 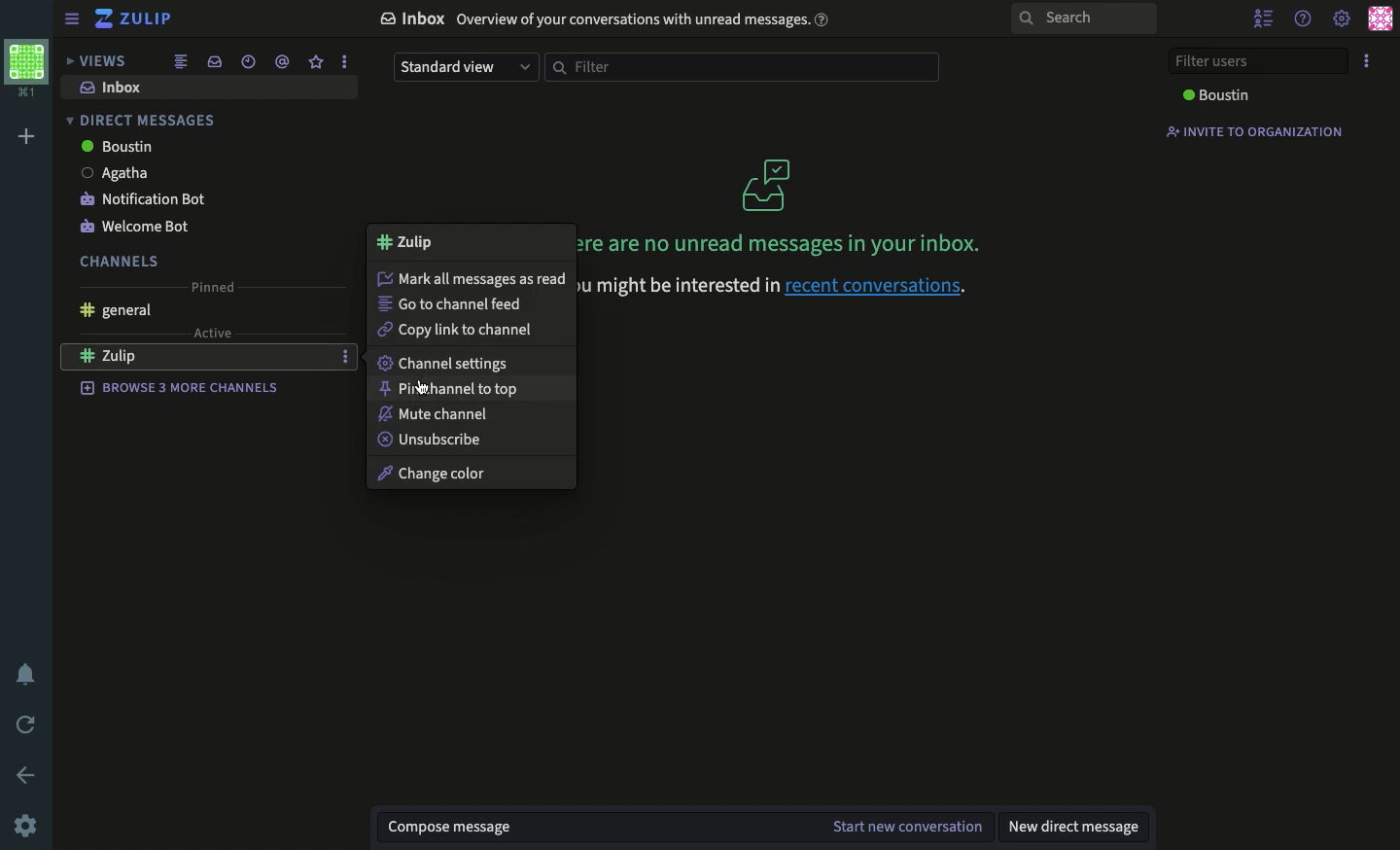 I want to click on invite to organization, so click(x=1253, y=132).